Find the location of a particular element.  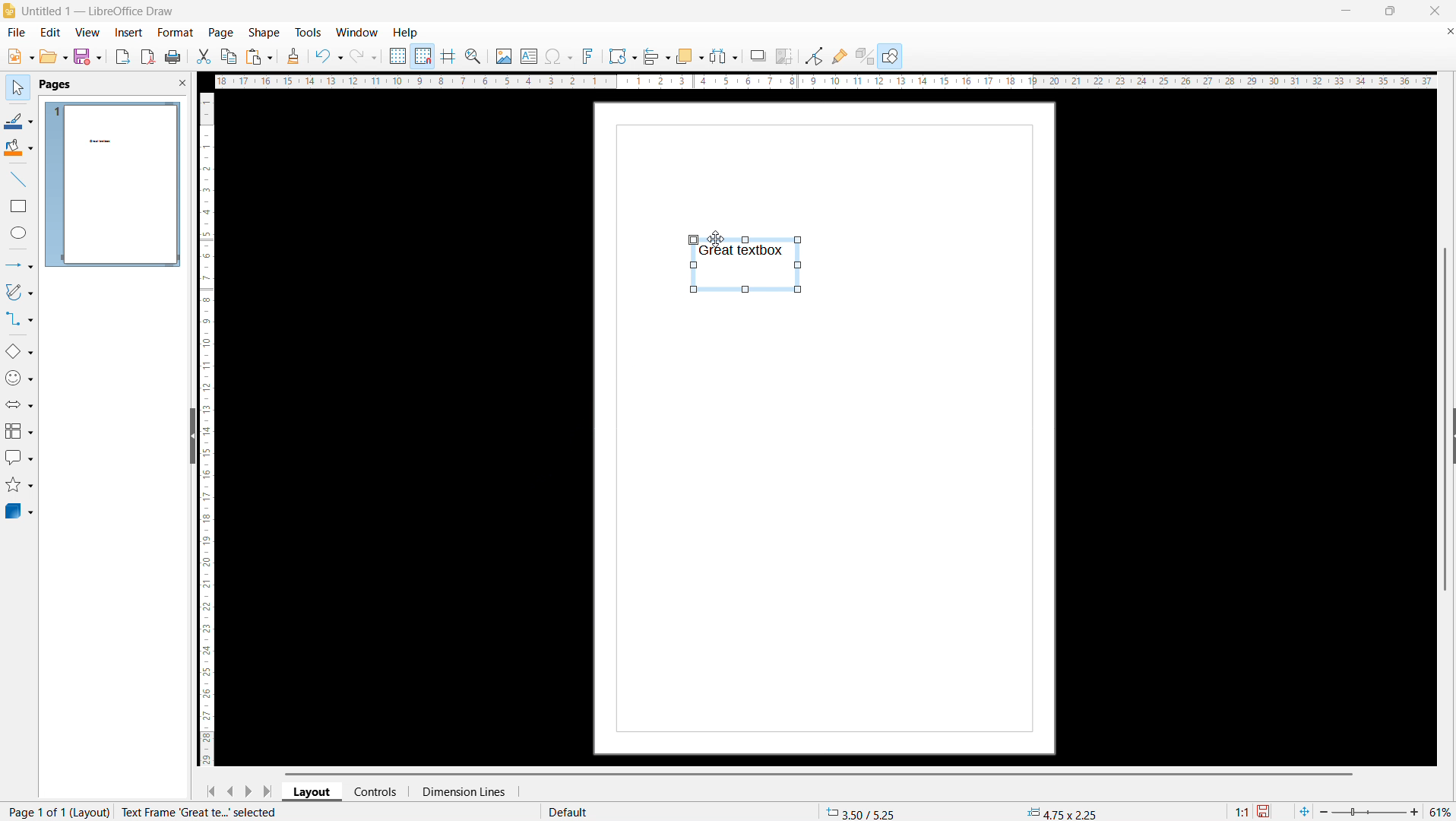

default page style is located at coordinates (566, 812).